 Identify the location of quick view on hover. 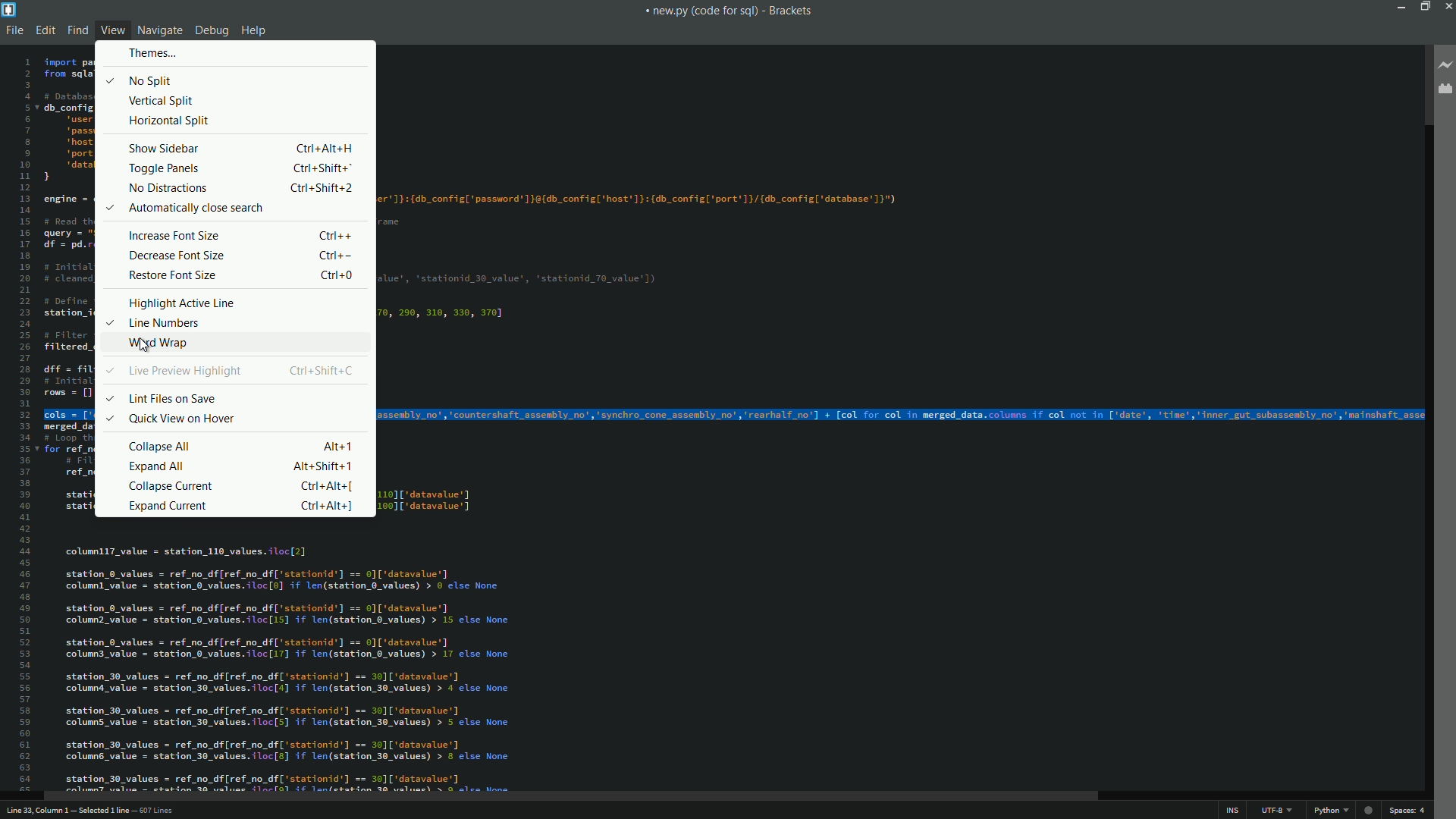
(167, 418).